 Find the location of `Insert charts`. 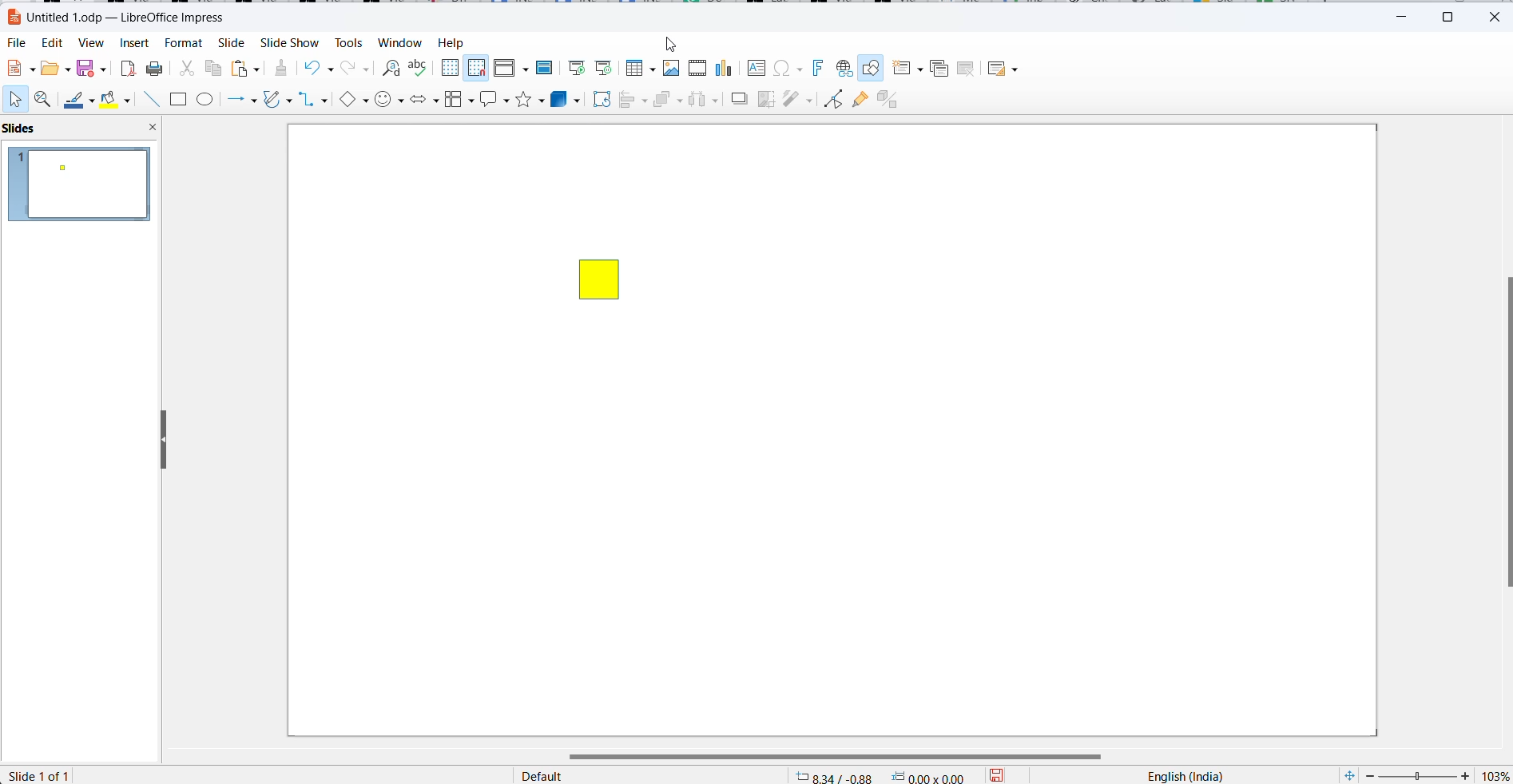

Insert charts is located at coordinates (727, 69).